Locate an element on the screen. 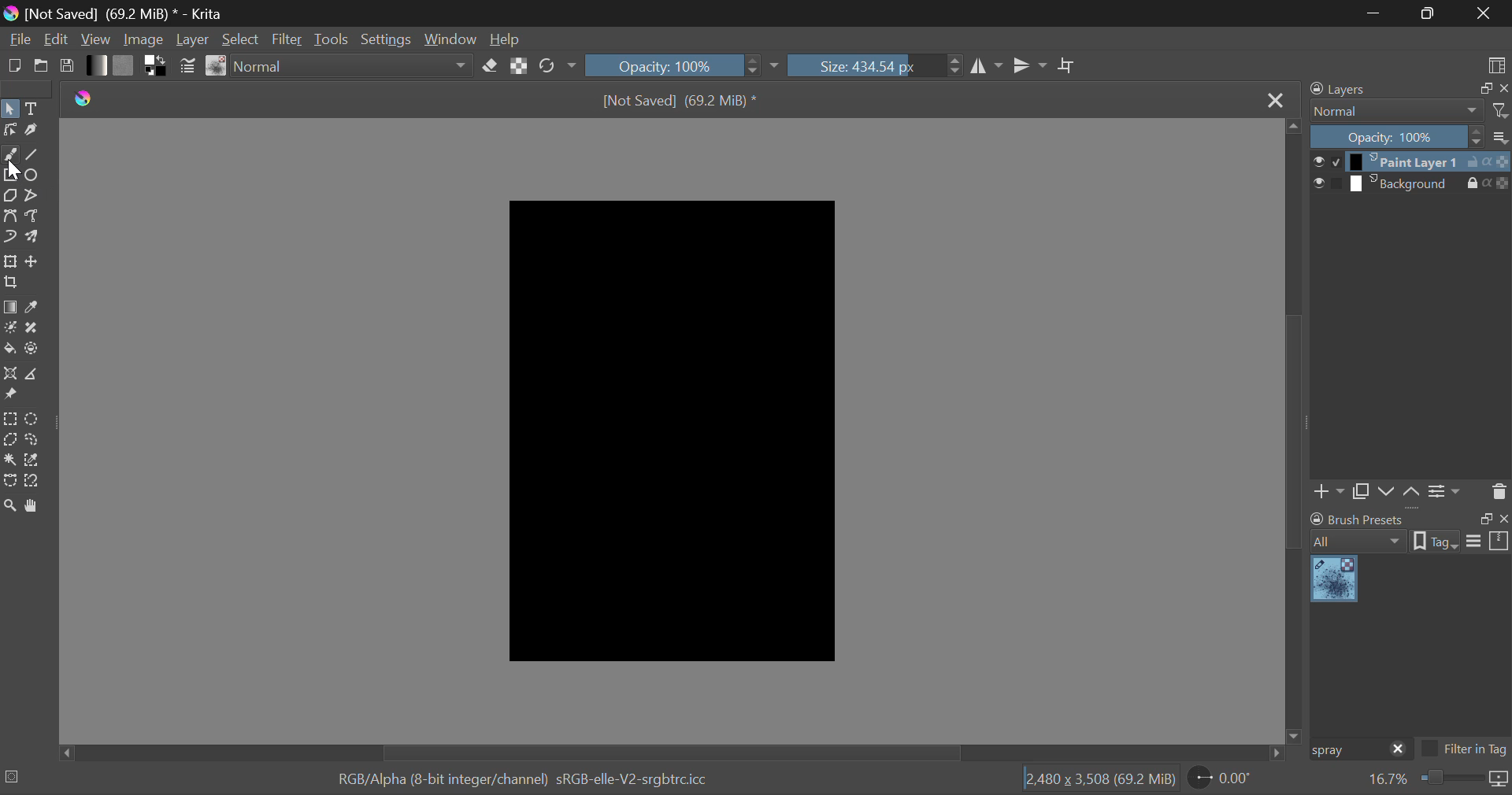 The image size is (1512, 795). File is located at coordinates (19, 38).